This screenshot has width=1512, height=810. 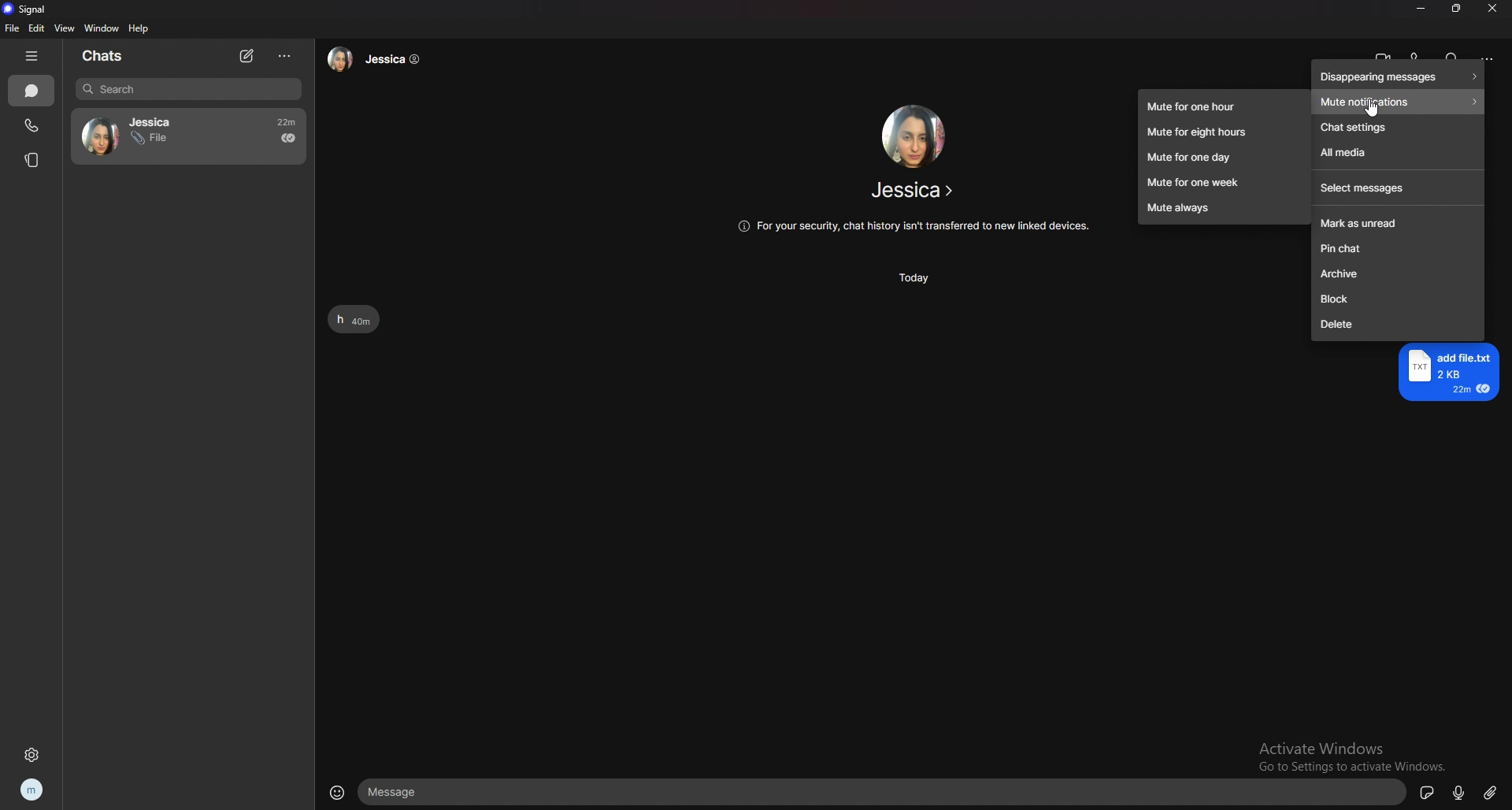 What do you see at coordinates (1399, 151) in the screenshot?
I see `all media` at bounding box center [1399, 151].